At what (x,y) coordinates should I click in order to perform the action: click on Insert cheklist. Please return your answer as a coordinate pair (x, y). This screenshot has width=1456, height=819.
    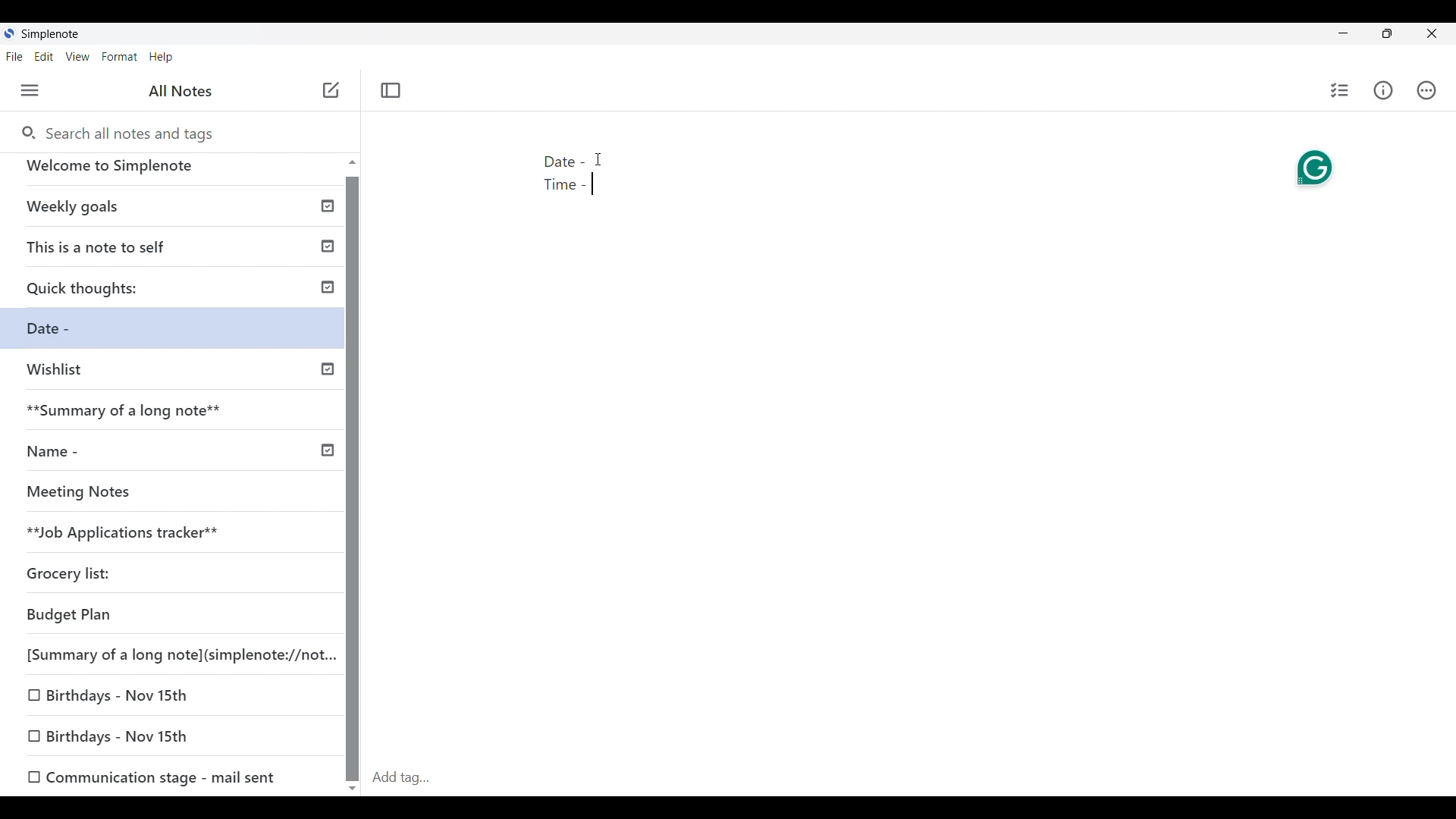
    Looking at the image, I should click on (1339, 90).